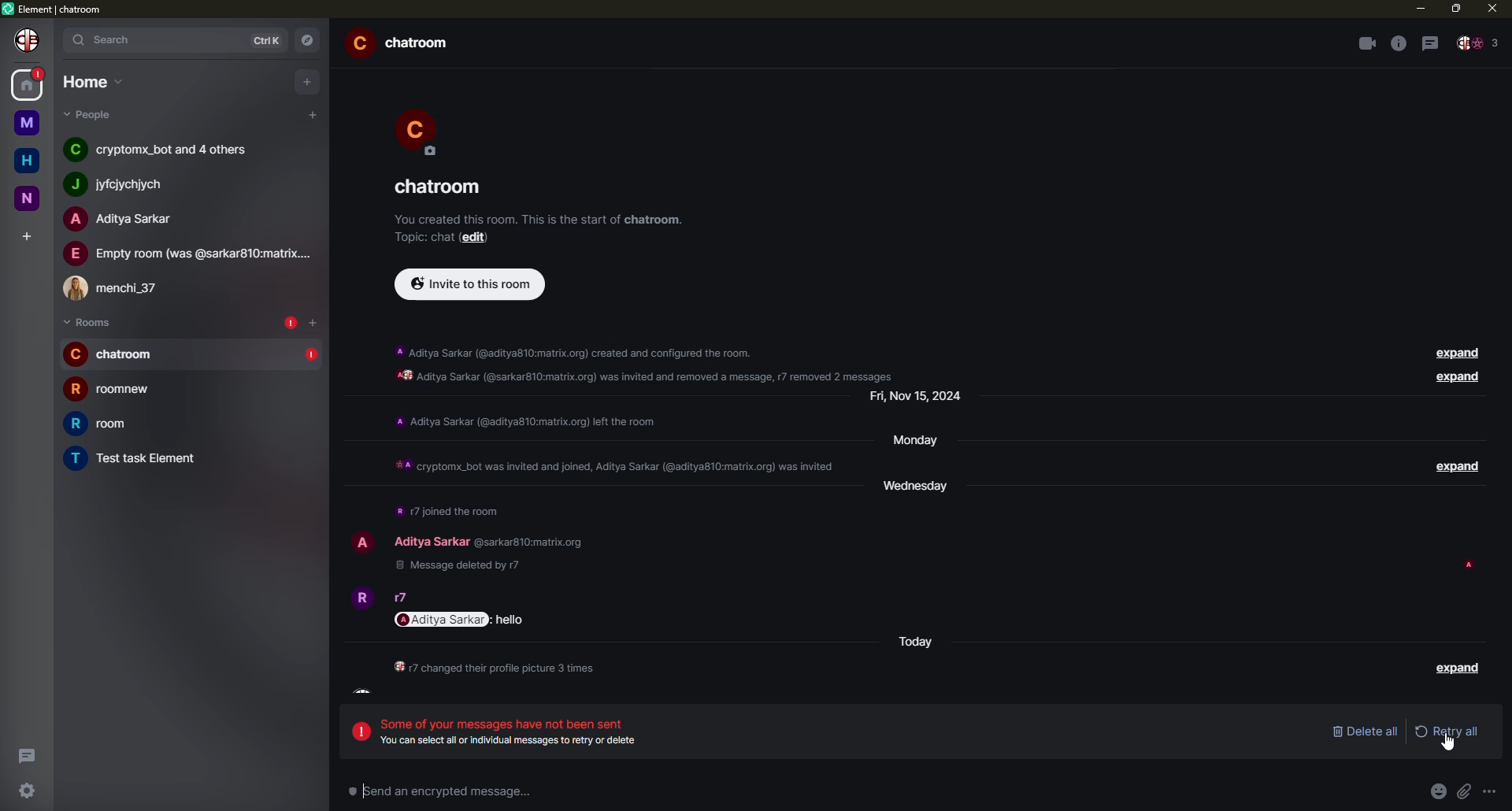  I want to click on room, so click(440, 185).